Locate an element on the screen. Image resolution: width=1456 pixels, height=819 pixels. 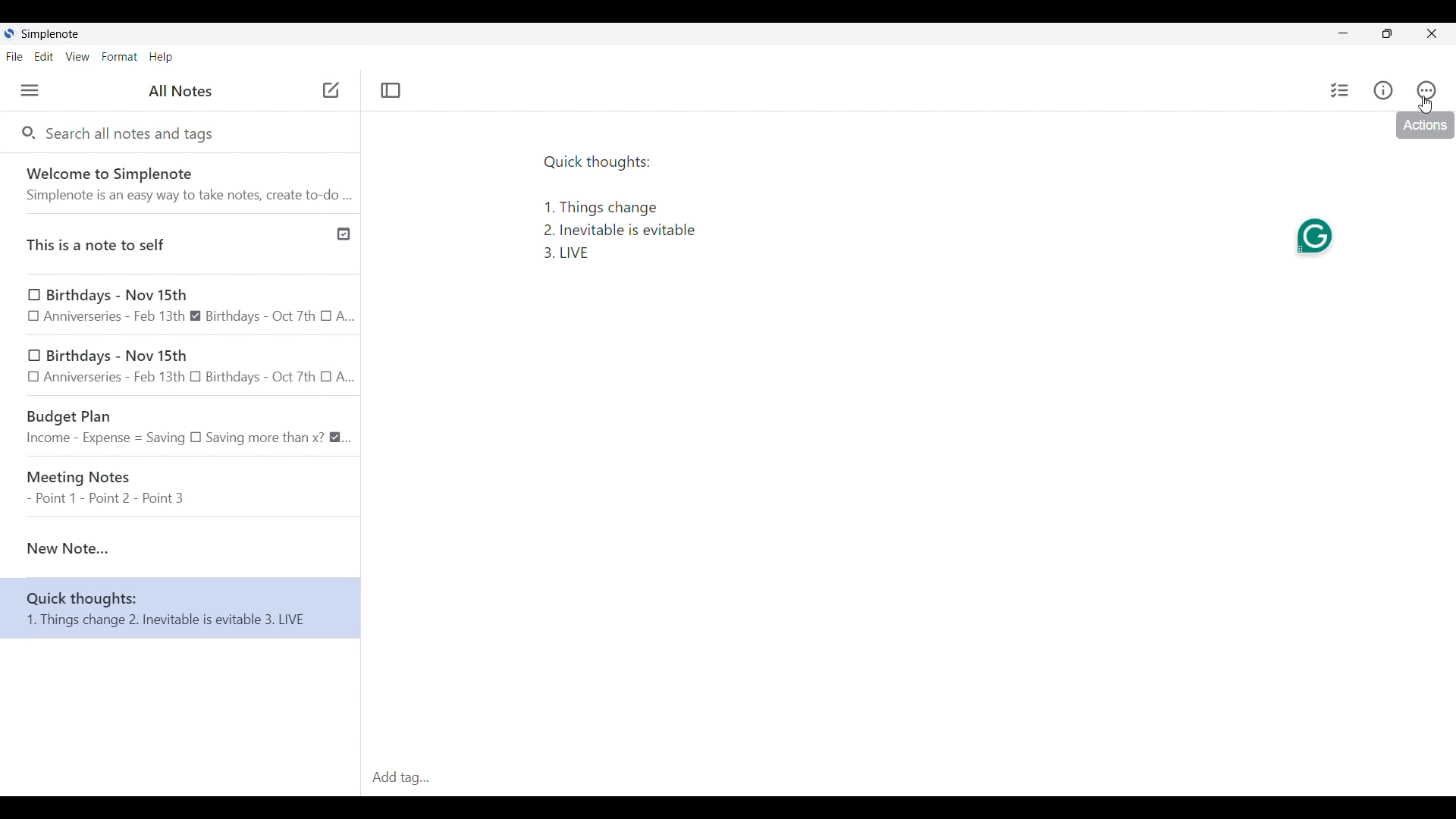
Text pasted is located at coordinates (686, 216).